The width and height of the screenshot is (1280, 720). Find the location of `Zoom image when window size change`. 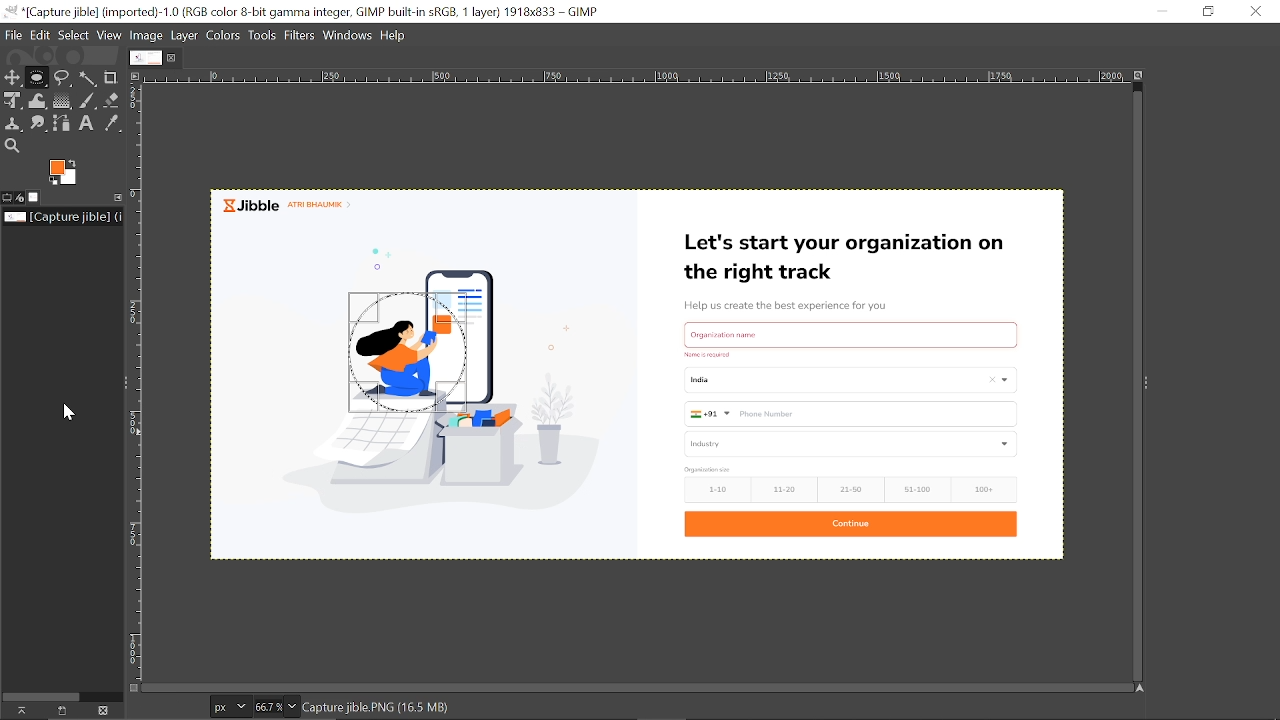

Zoom image when window size change is located at coordinates (1136, 76).